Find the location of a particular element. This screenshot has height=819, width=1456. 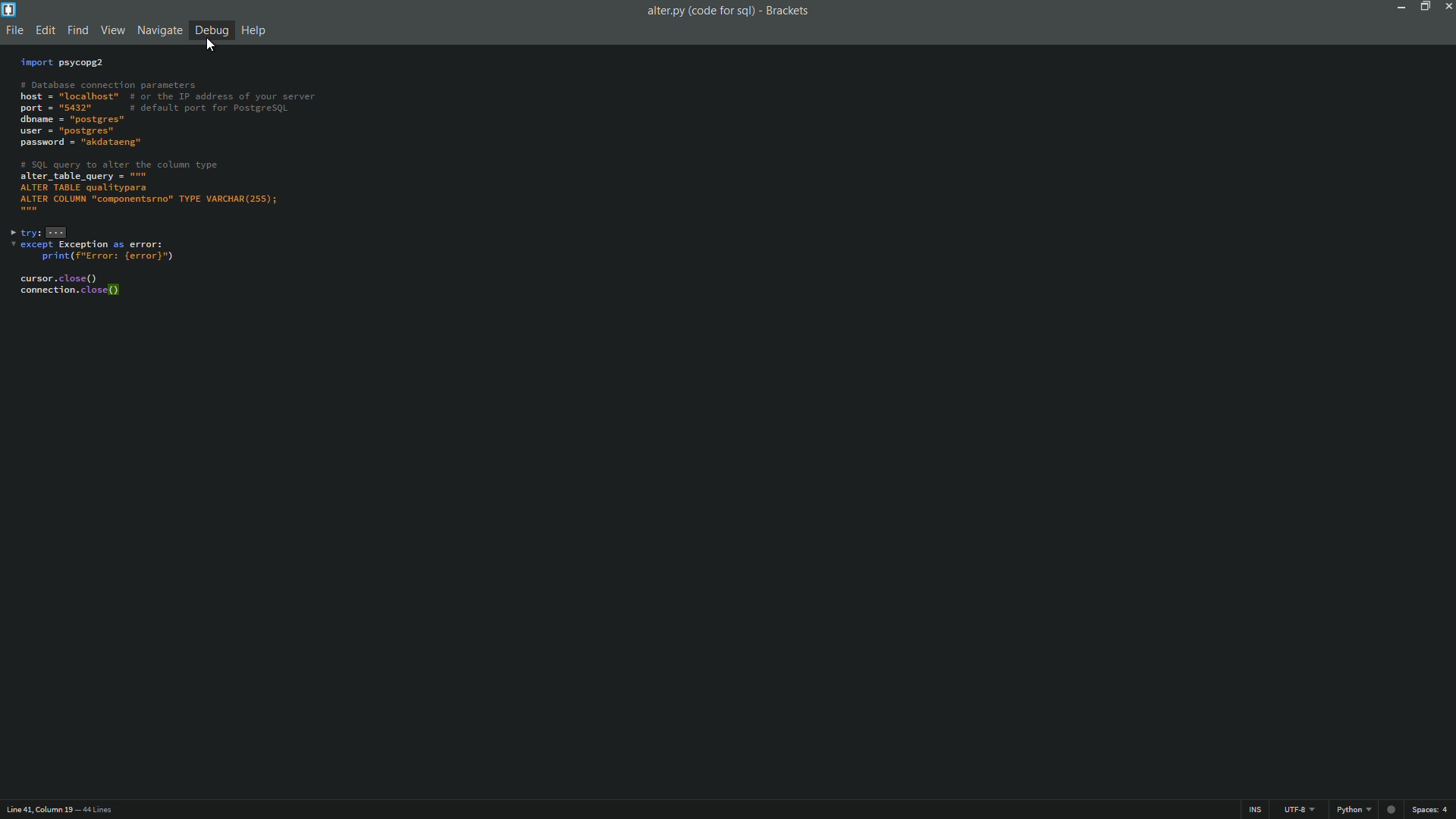

python is located at coordinates (1354, 810).